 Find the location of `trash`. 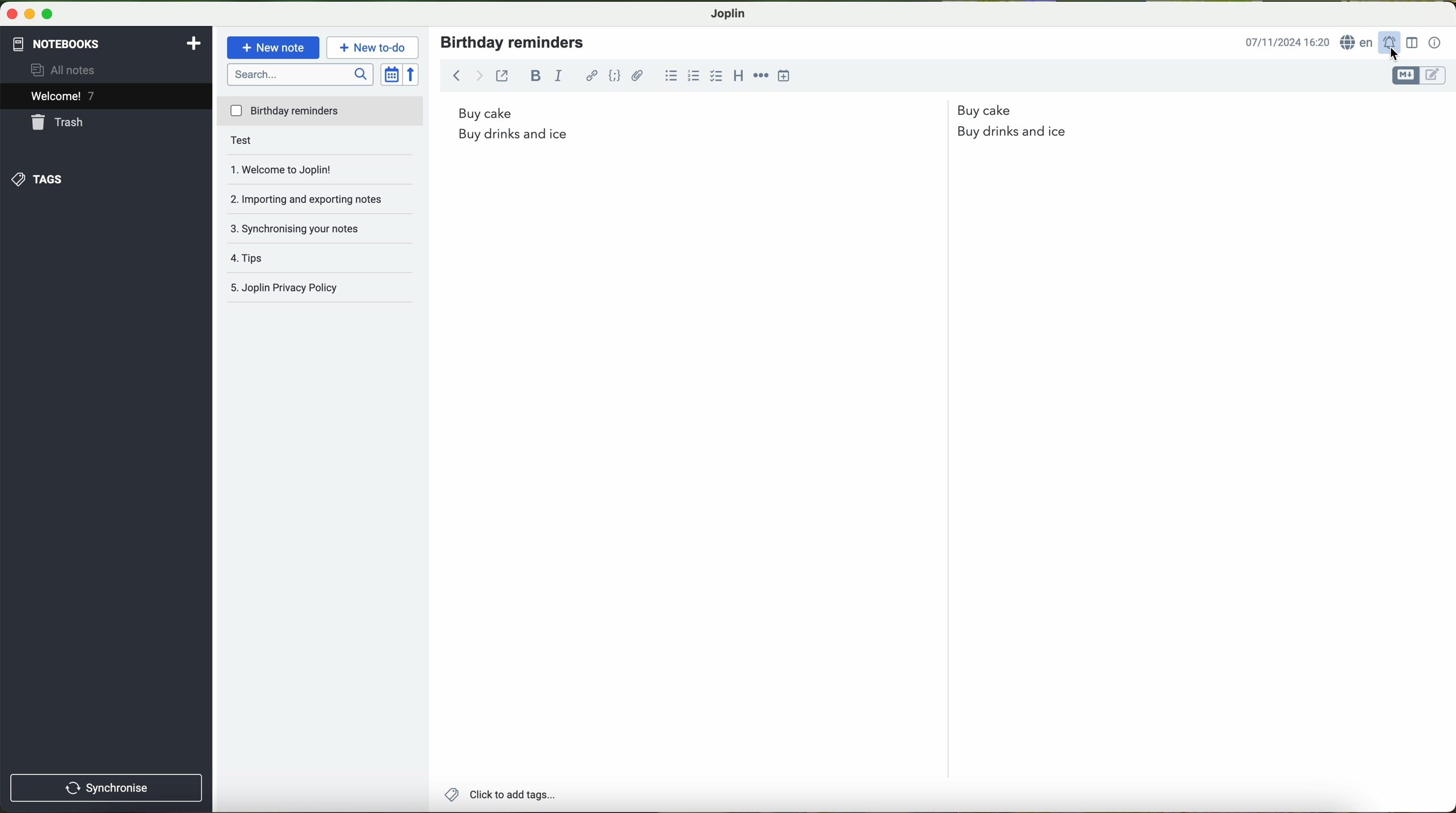

trash is located at coordinates (62, 123).